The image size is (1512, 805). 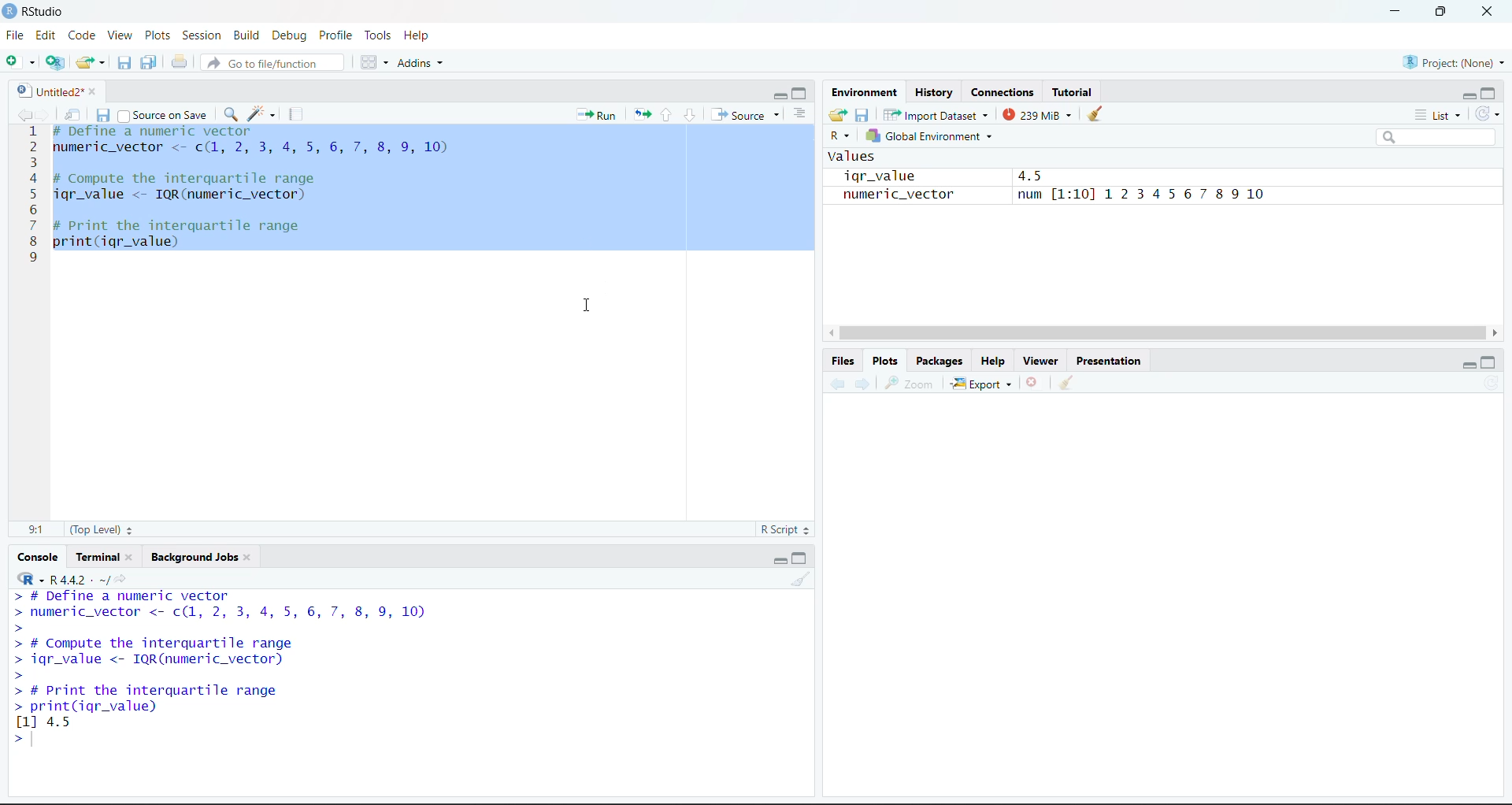 What do you see at coordinates (370, 61) in the screenshot?
I see `Workspace panes` at bounding box center [370, 61].